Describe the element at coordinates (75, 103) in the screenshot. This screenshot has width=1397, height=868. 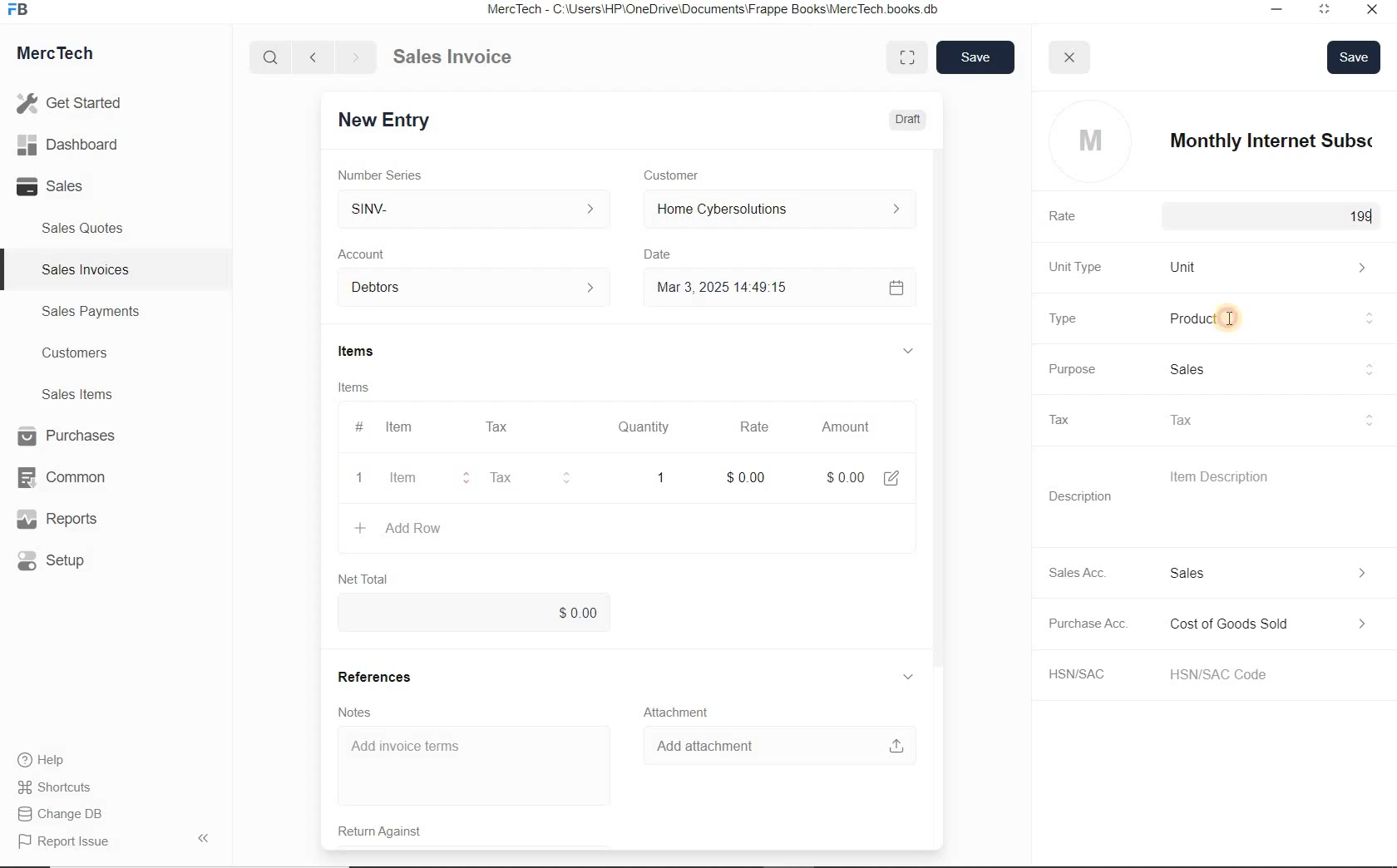
I see `Get Started` at that location.